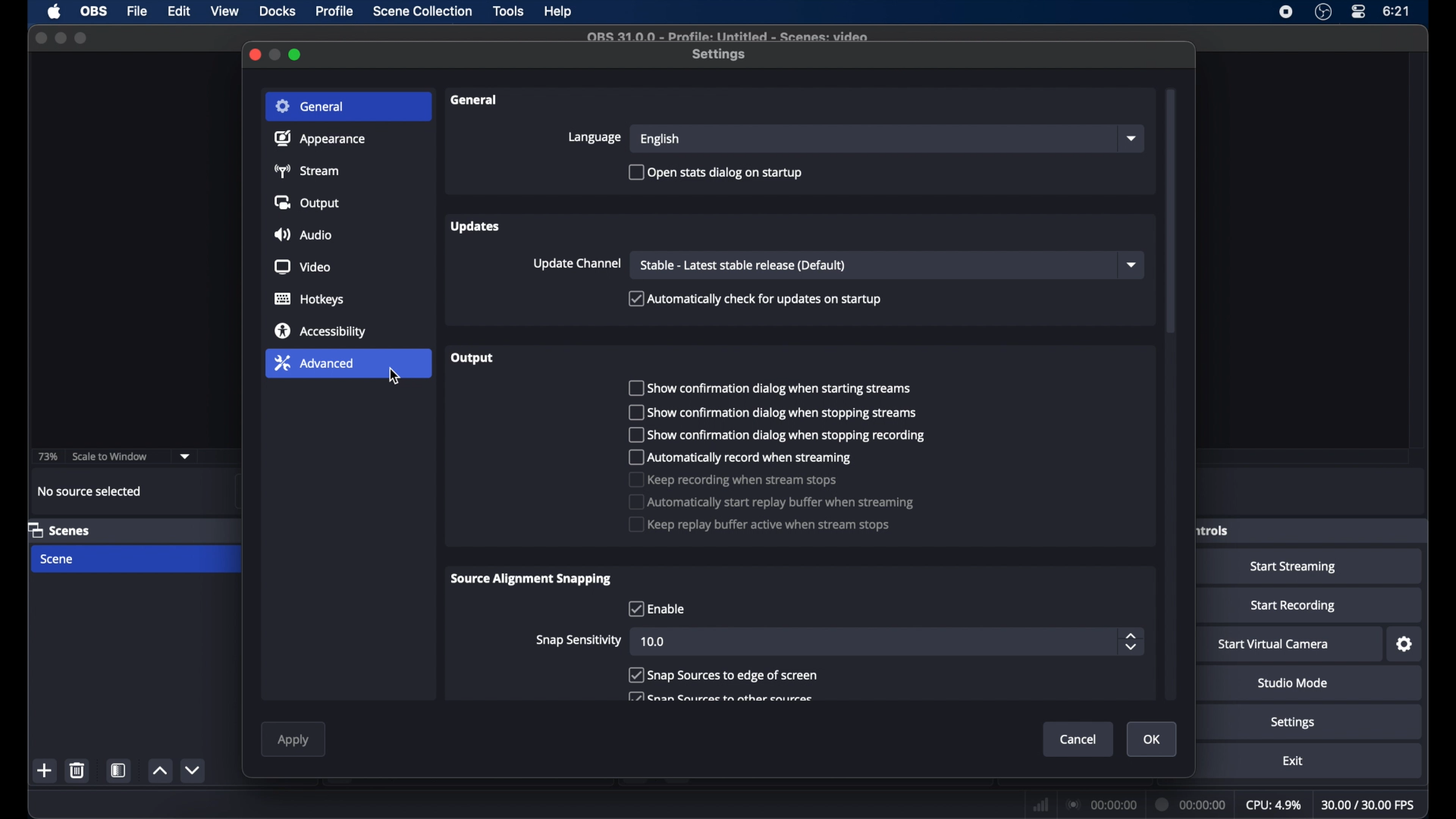 The width and height of the screenshot is (1456, 819). Describe the element at coordinates (45, 771) in the screenshot. I see `add` at that location.